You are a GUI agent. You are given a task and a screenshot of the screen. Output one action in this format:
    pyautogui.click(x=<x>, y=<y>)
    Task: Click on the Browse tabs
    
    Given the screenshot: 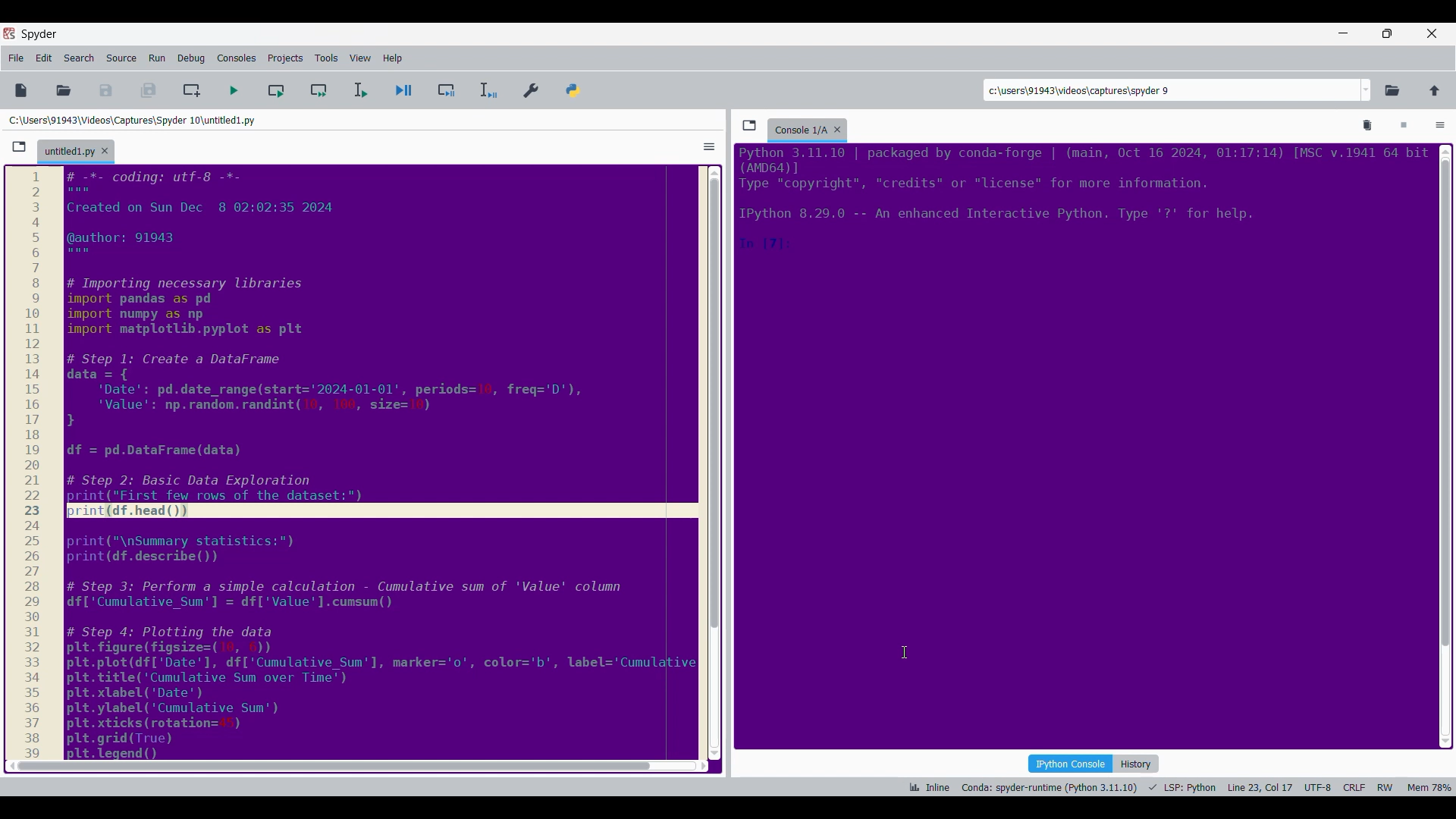 What is the action you would take?
    pyautogui.click(x=19, y=147)
    